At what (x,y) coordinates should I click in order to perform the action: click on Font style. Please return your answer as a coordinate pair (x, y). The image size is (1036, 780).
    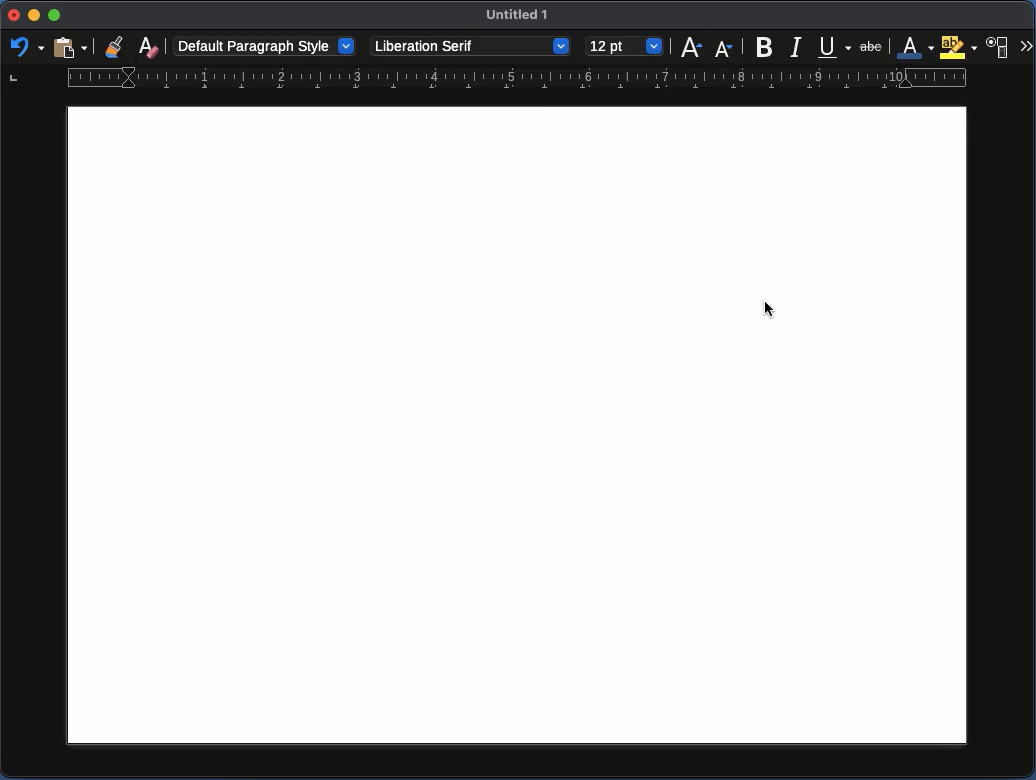
    Looking at the image, I should click on (470, 47).